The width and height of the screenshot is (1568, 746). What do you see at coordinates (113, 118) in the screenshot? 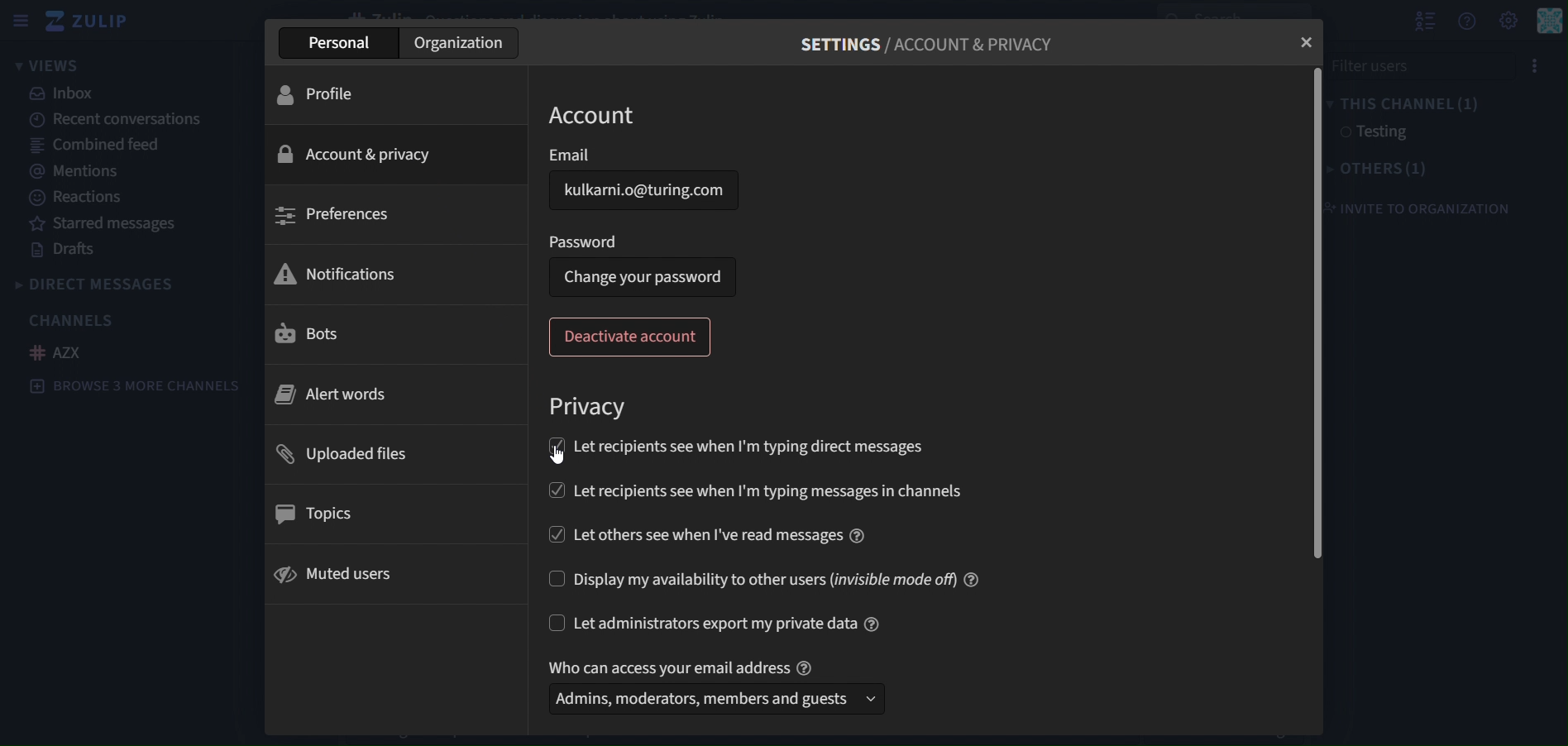
I see `recent conversations` at bounding box center [113, 118].